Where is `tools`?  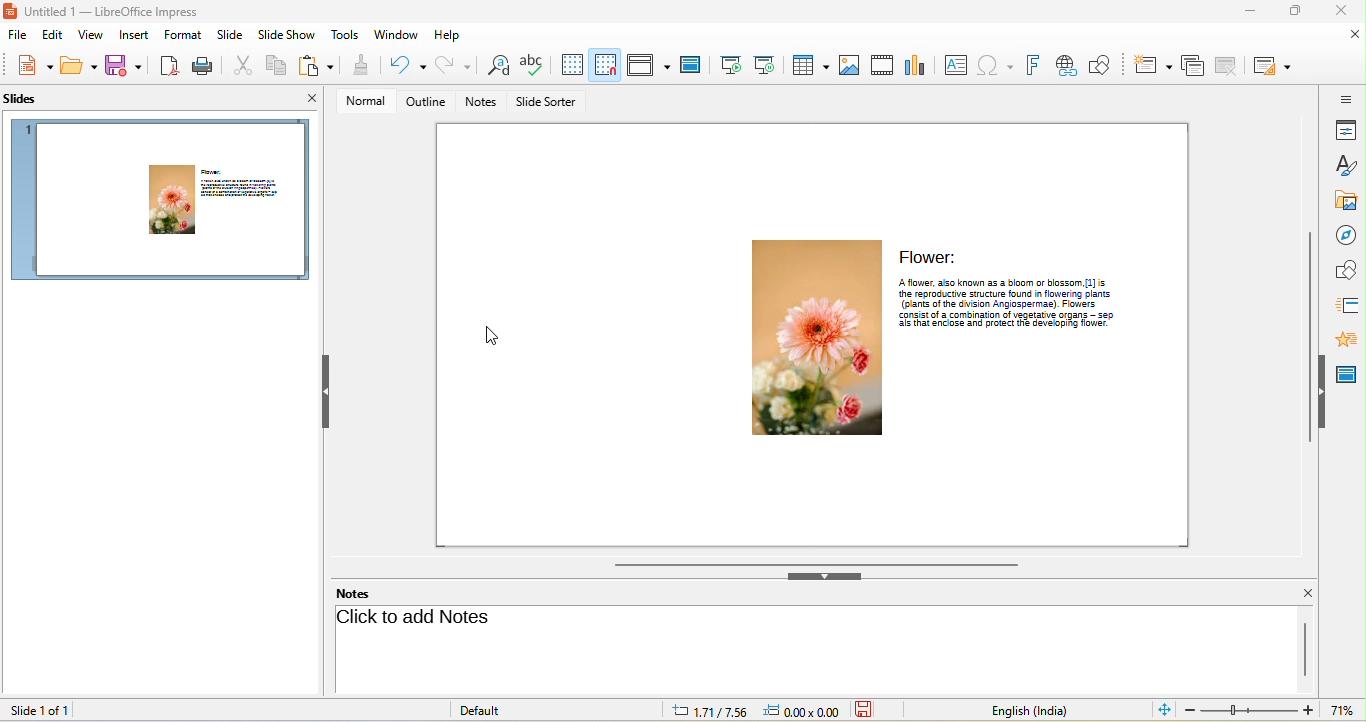
tools is located at coordinates (344, 34).